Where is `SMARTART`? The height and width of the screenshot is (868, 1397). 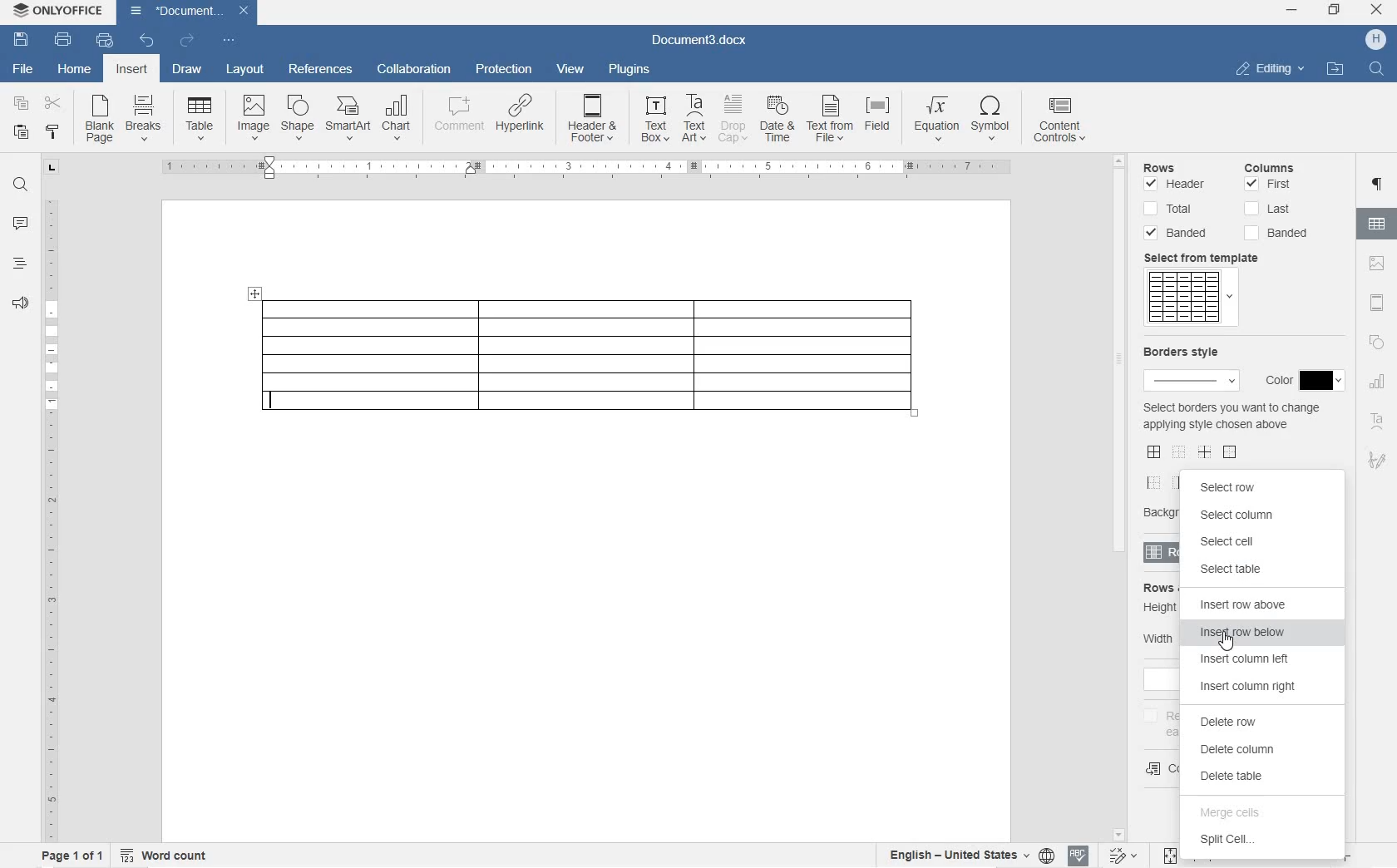 SMARTART is located at coordinates (348, 119).